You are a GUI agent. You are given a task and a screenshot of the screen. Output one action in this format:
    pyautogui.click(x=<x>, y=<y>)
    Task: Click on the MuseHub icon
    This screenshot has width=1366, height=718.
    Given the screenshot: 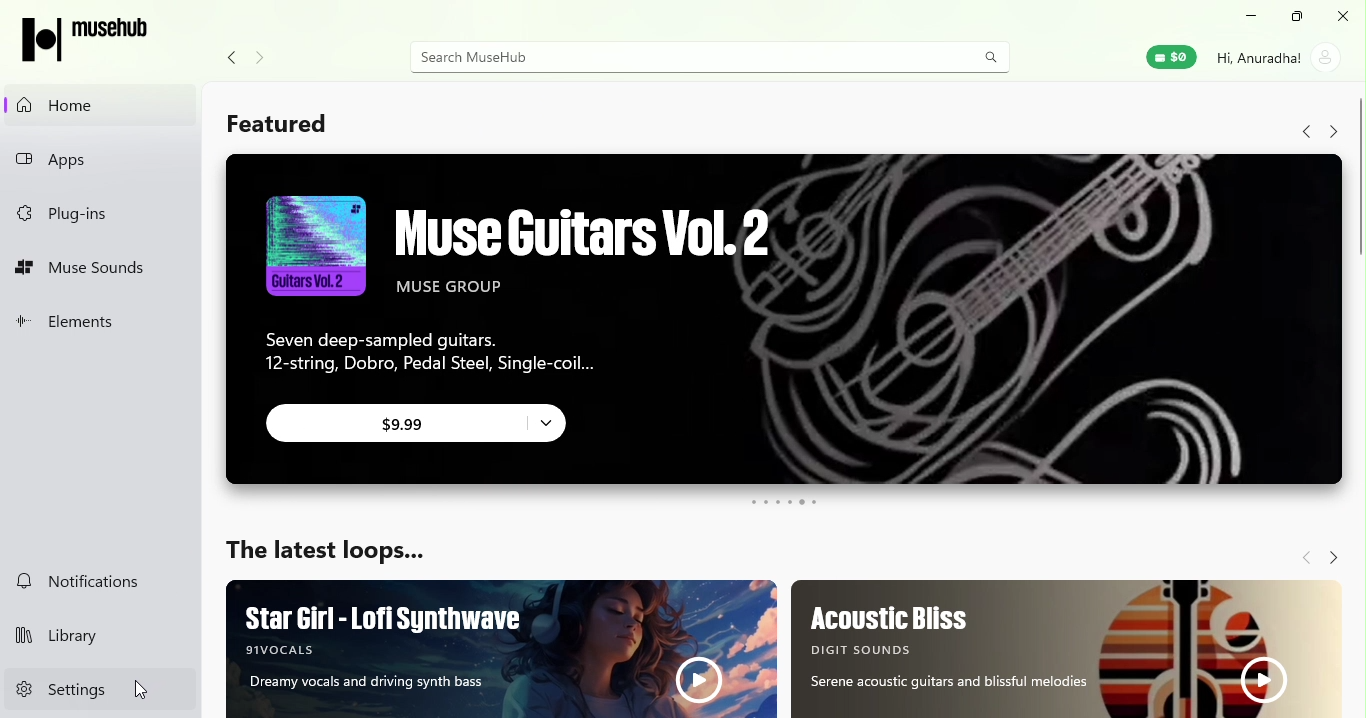 What is the action you would take?
    pyautogui.click(x=86, y=40)
    